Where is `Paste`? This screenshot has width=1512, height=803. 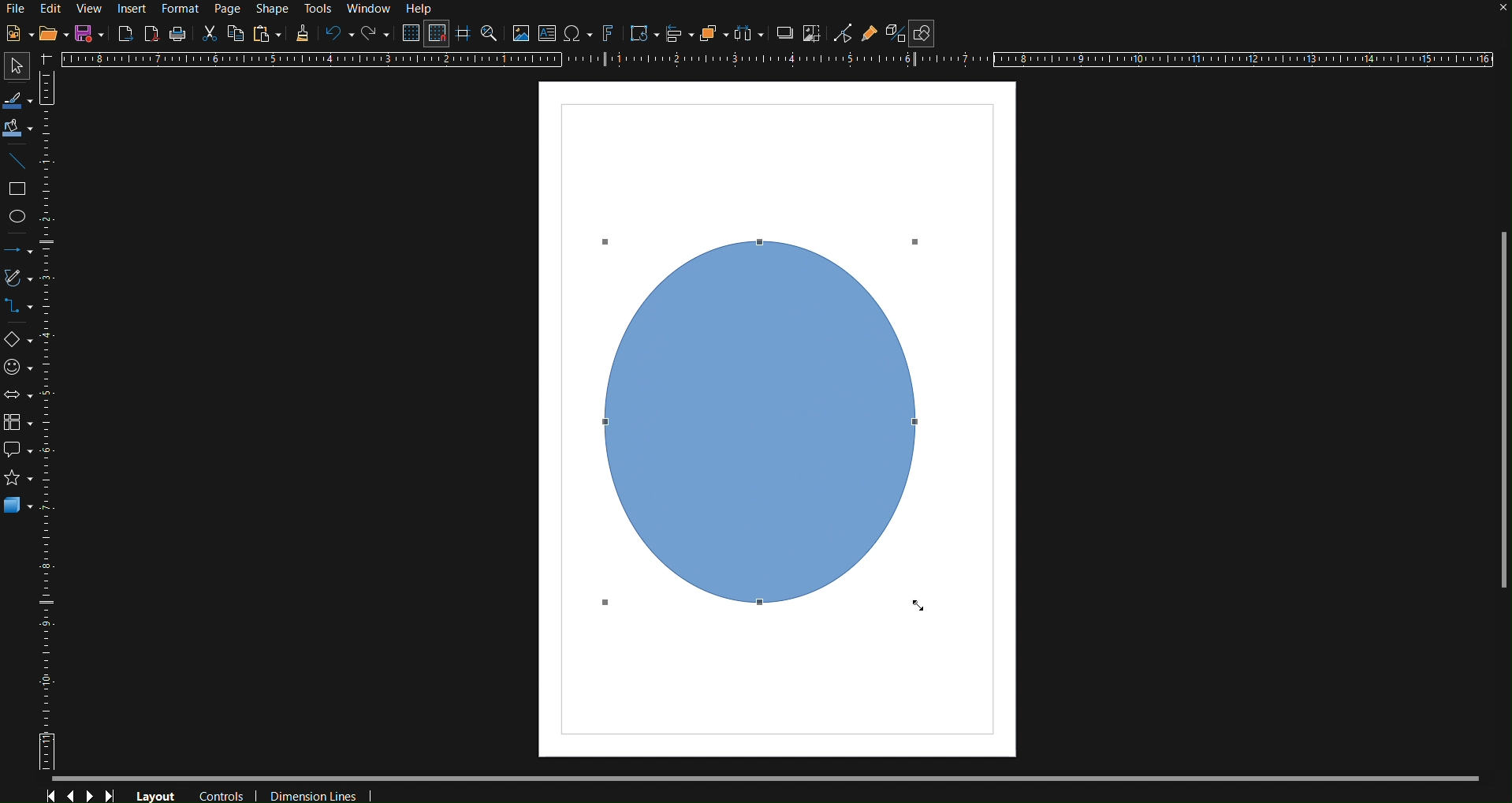
Paste is located at coordinates (266, 34).